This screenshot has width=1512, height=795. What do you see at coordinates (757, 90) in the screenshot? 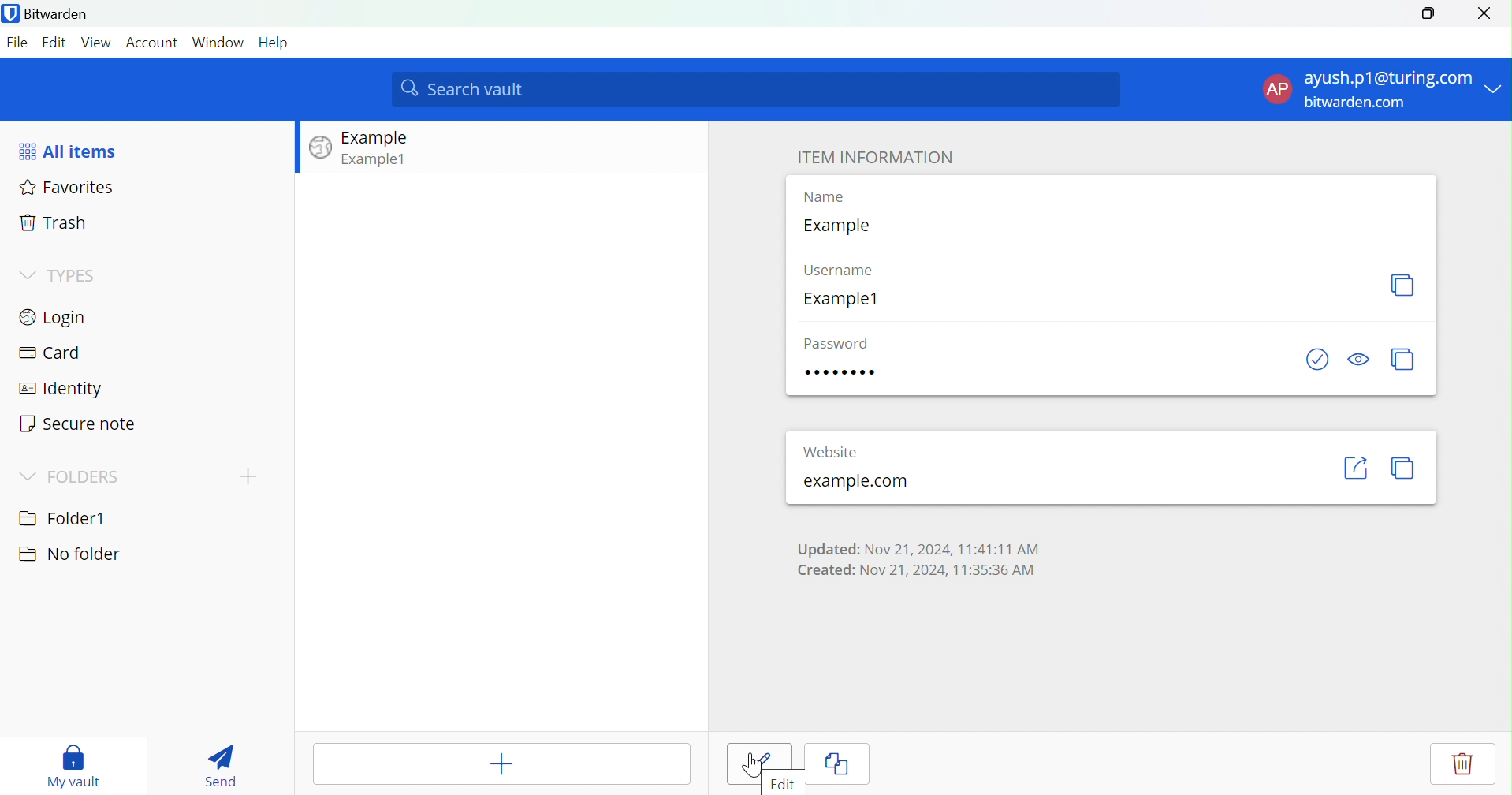
I see `Search vault` at bounding box center [757, 90].